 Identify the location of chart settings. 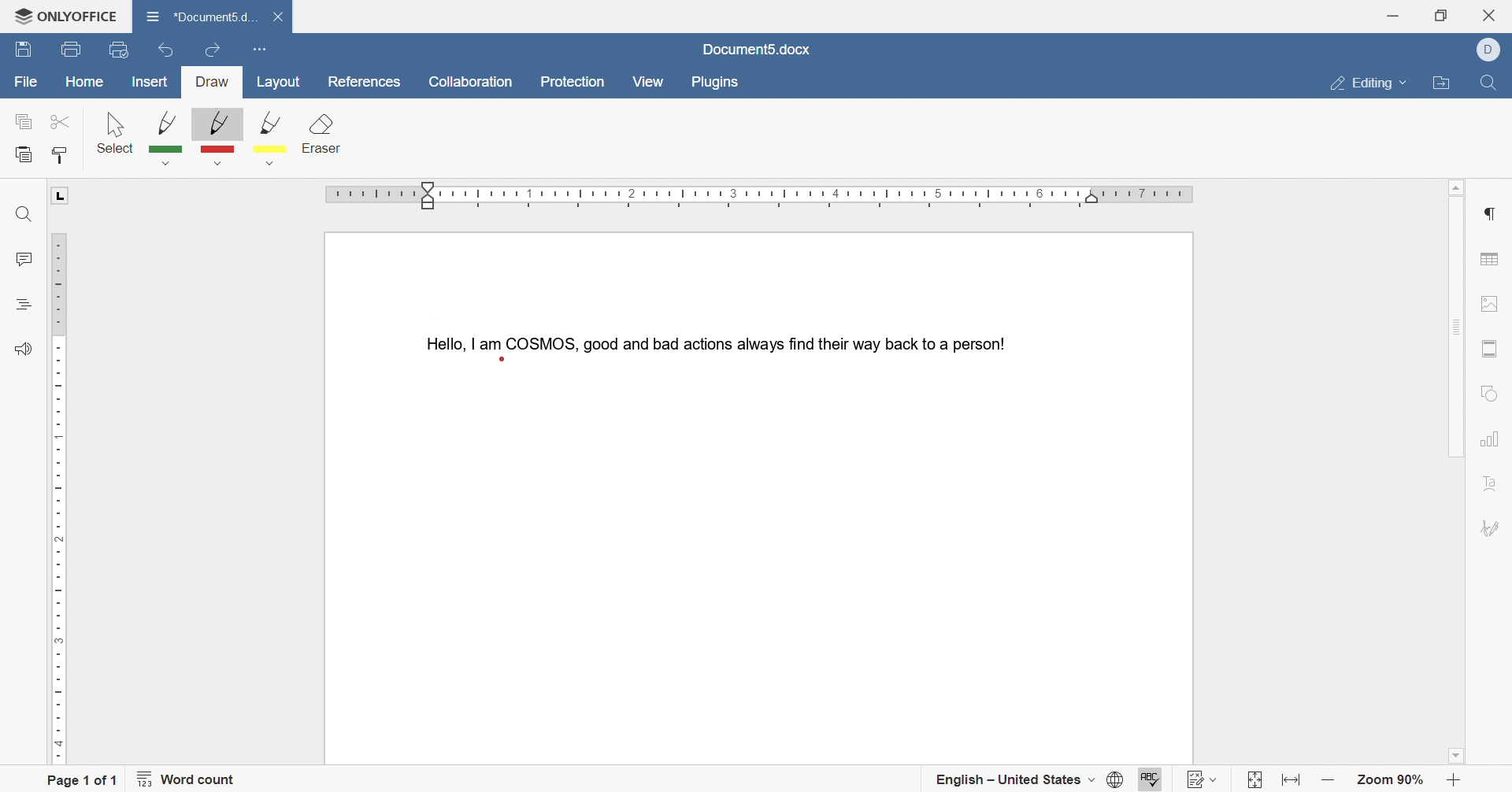
(1490, 441).